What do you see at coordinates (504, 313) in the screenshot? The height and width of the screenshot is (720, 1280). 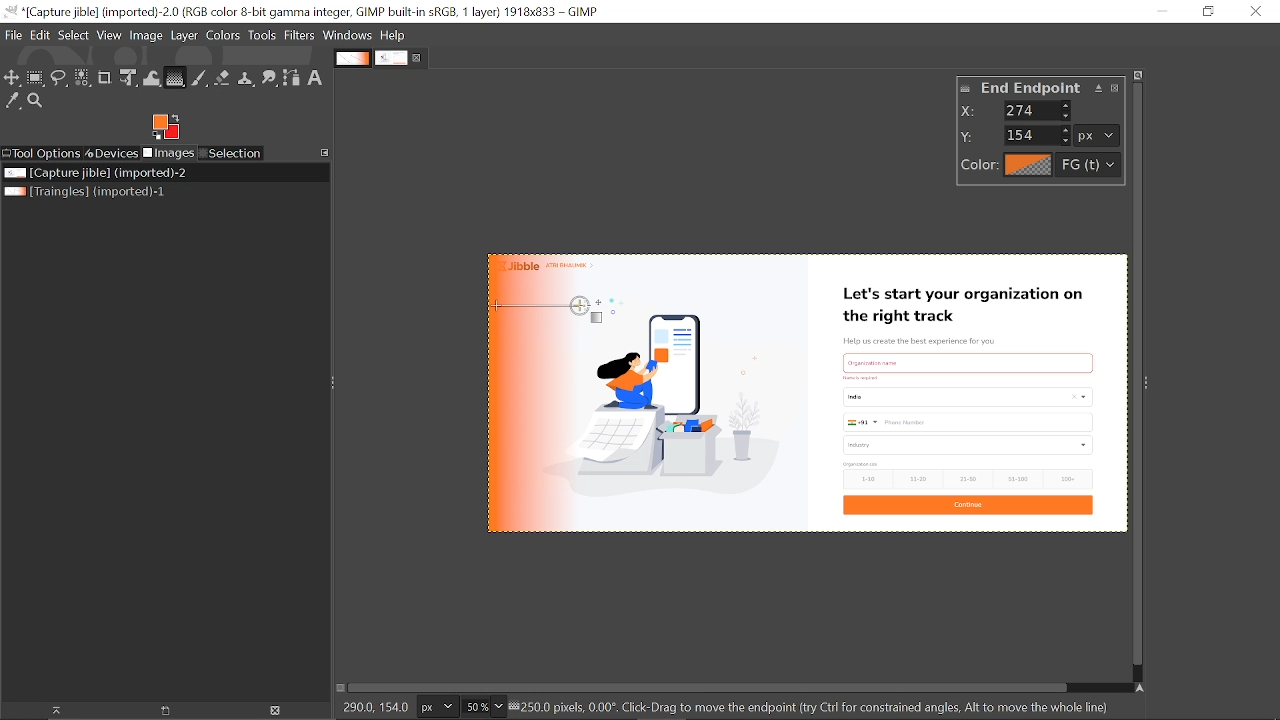 I see `Cursor` at bounding box center [504, 313].